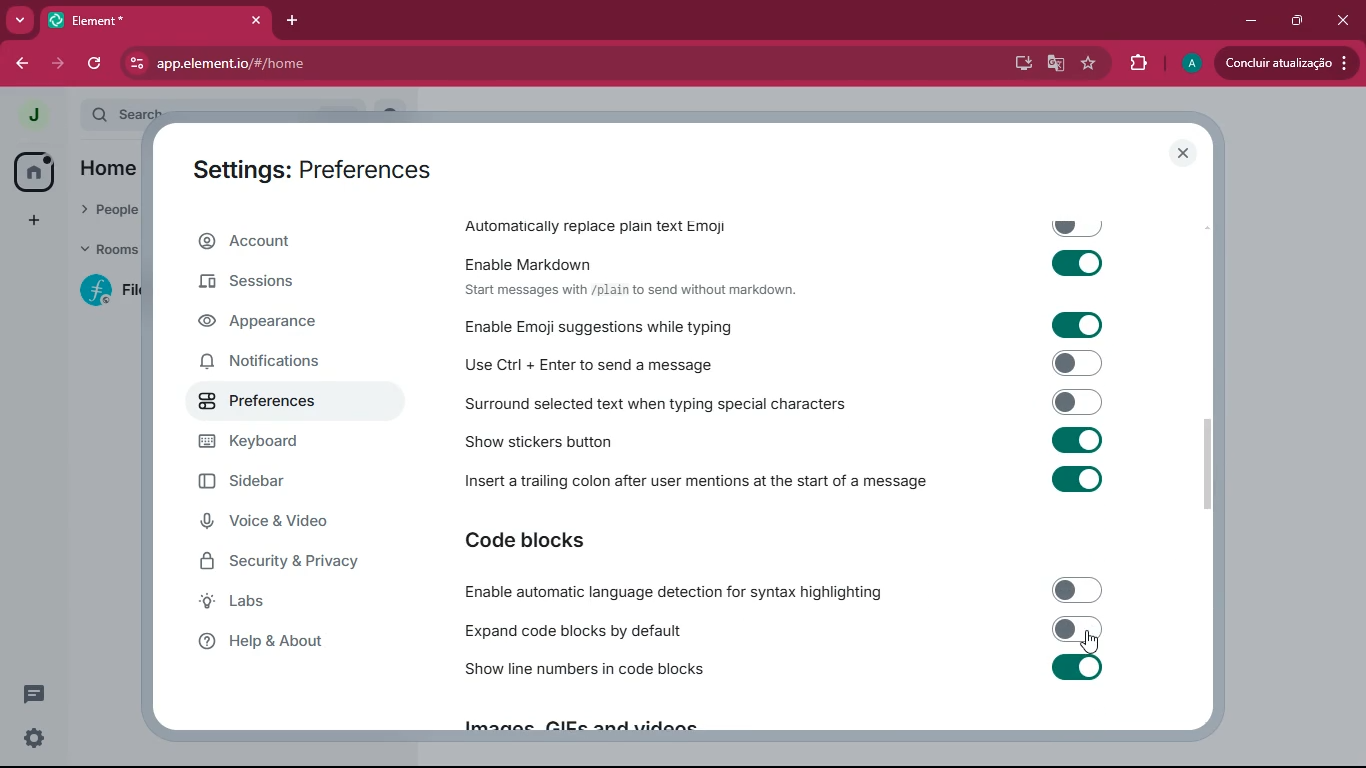 The height and width of the screenshot is (768, 1366). Describe the element at coordinates (1293, 22) in the screenshot. I see `maximize` at that location.